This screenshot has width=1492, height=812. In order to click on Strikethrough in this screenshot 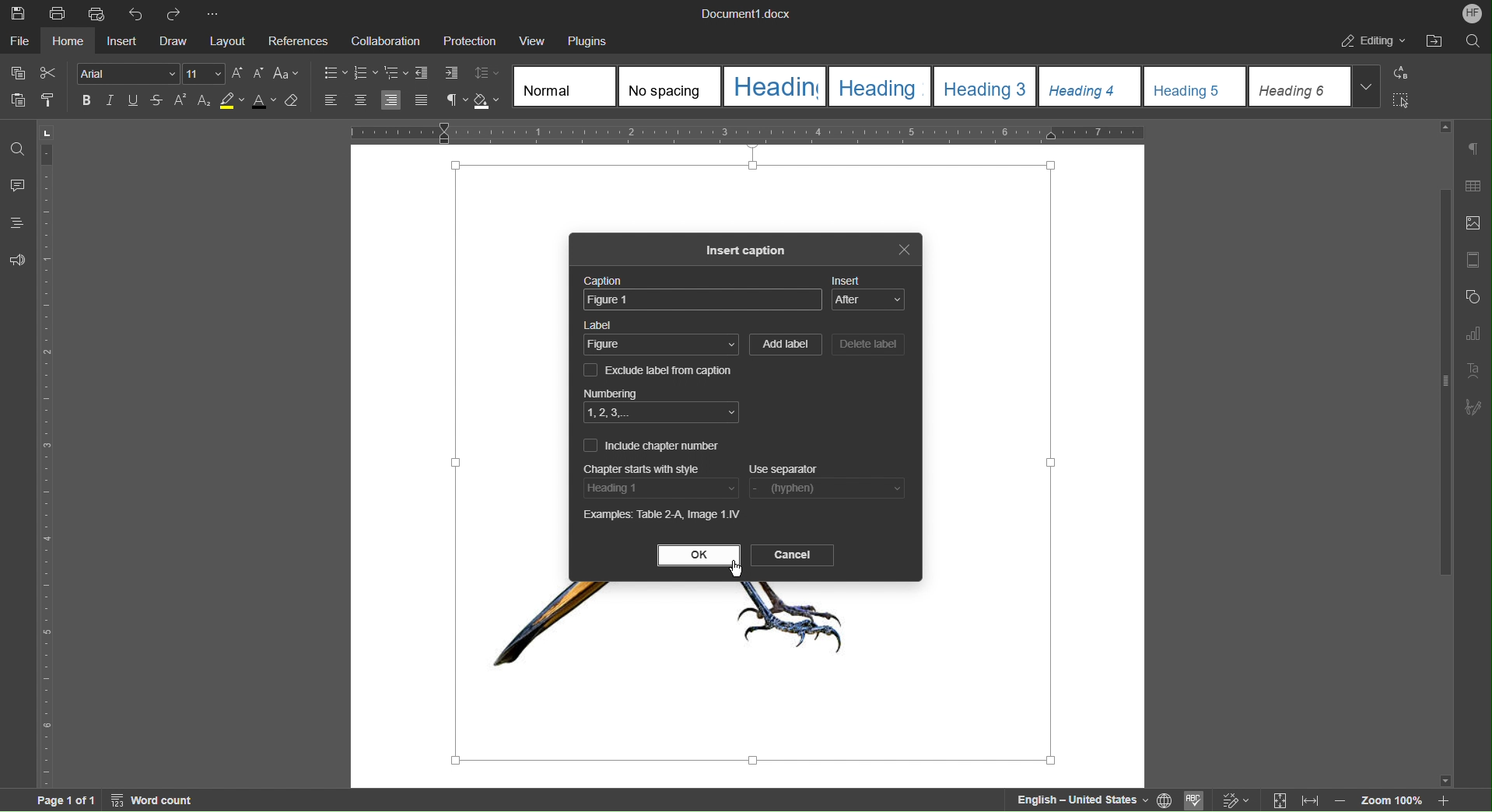, I will do `click(155, 101)`.